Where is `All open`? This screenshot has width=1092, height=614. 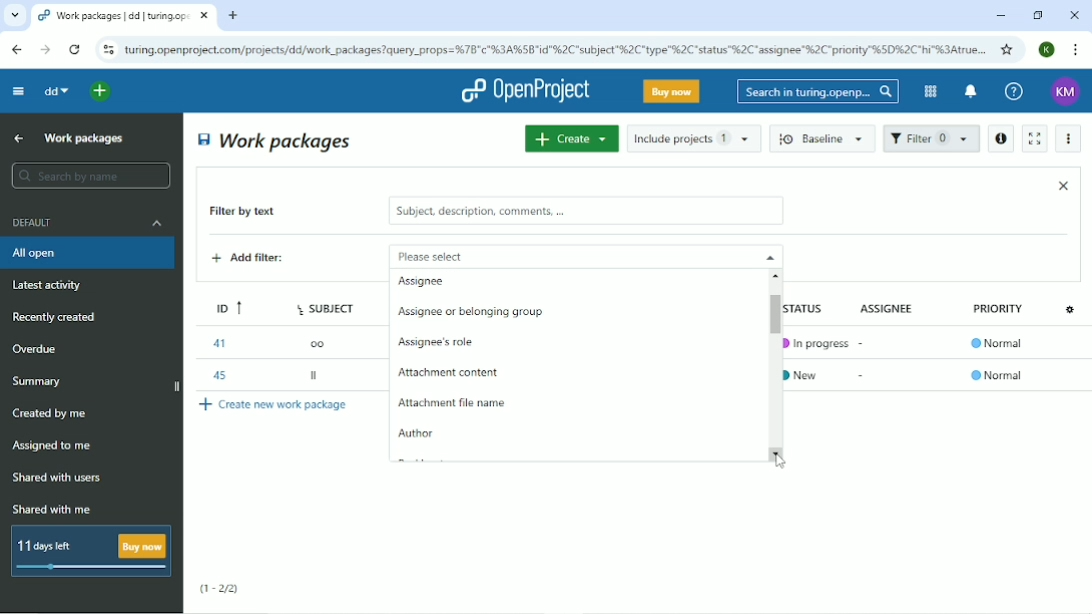
All open is located at coordinates (90, 253).